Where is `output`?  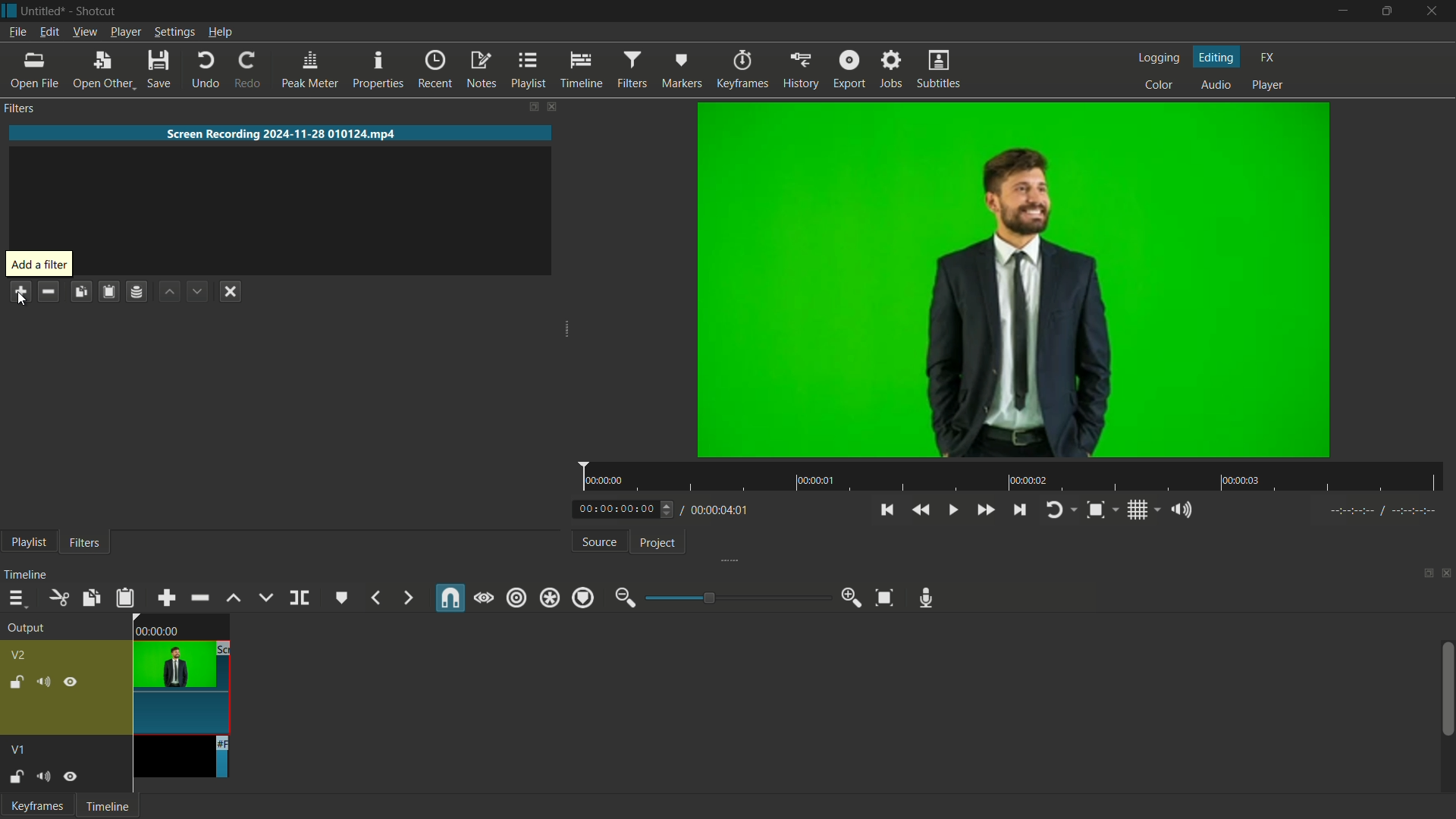
output is located at coordinates (24, 627).